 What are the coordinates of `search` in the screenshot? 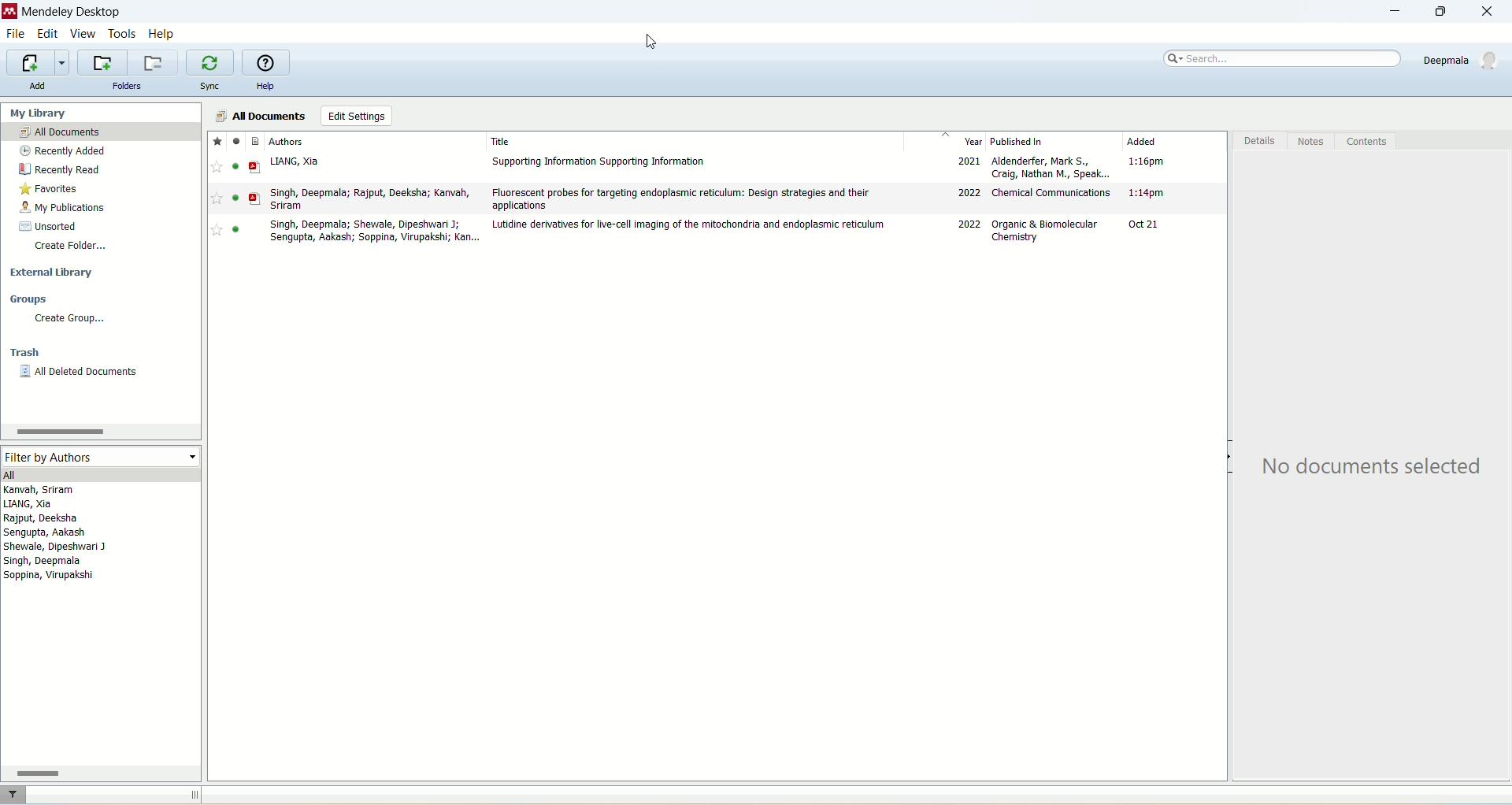 It's located at (1282, 58).